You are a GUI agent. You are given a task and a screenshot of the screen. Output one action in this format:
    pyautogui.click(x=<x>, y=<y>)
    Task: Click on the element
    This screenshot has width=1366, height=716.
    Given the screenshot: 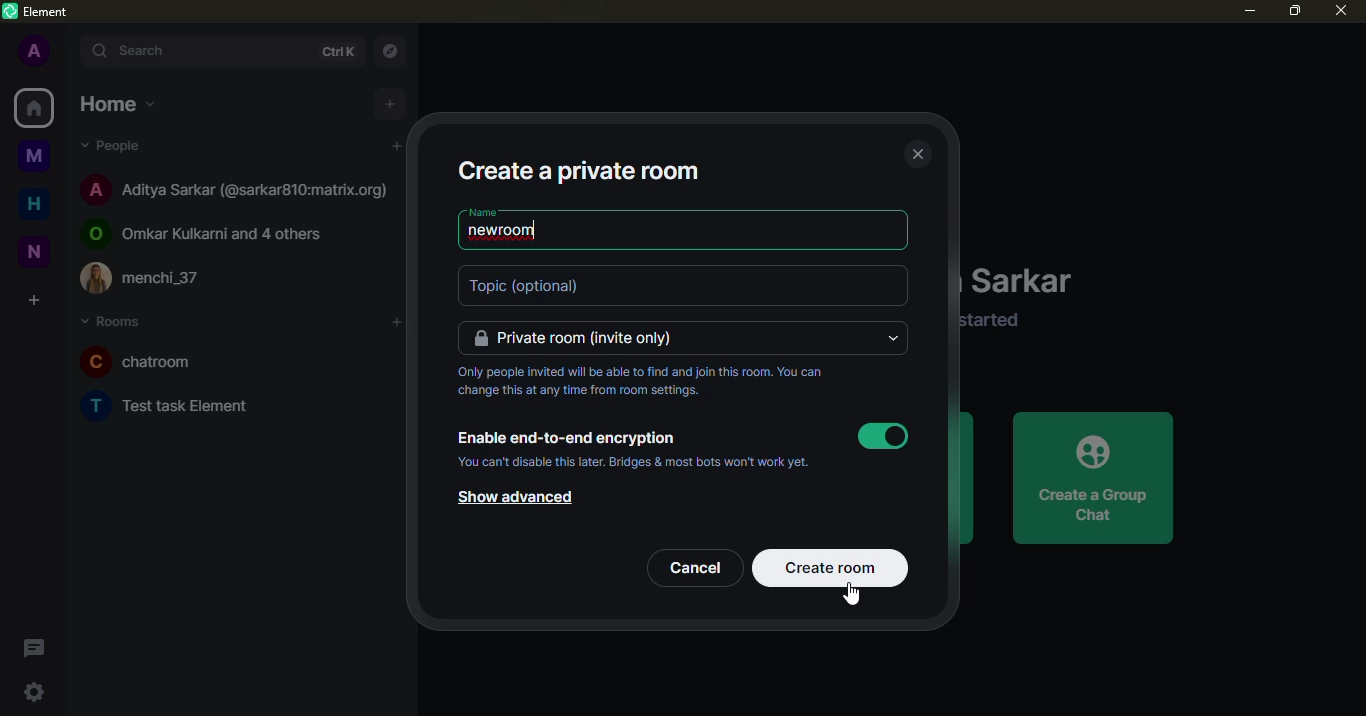 What is the action you would take?
    pyautogui.click(x=38, y=12)
    